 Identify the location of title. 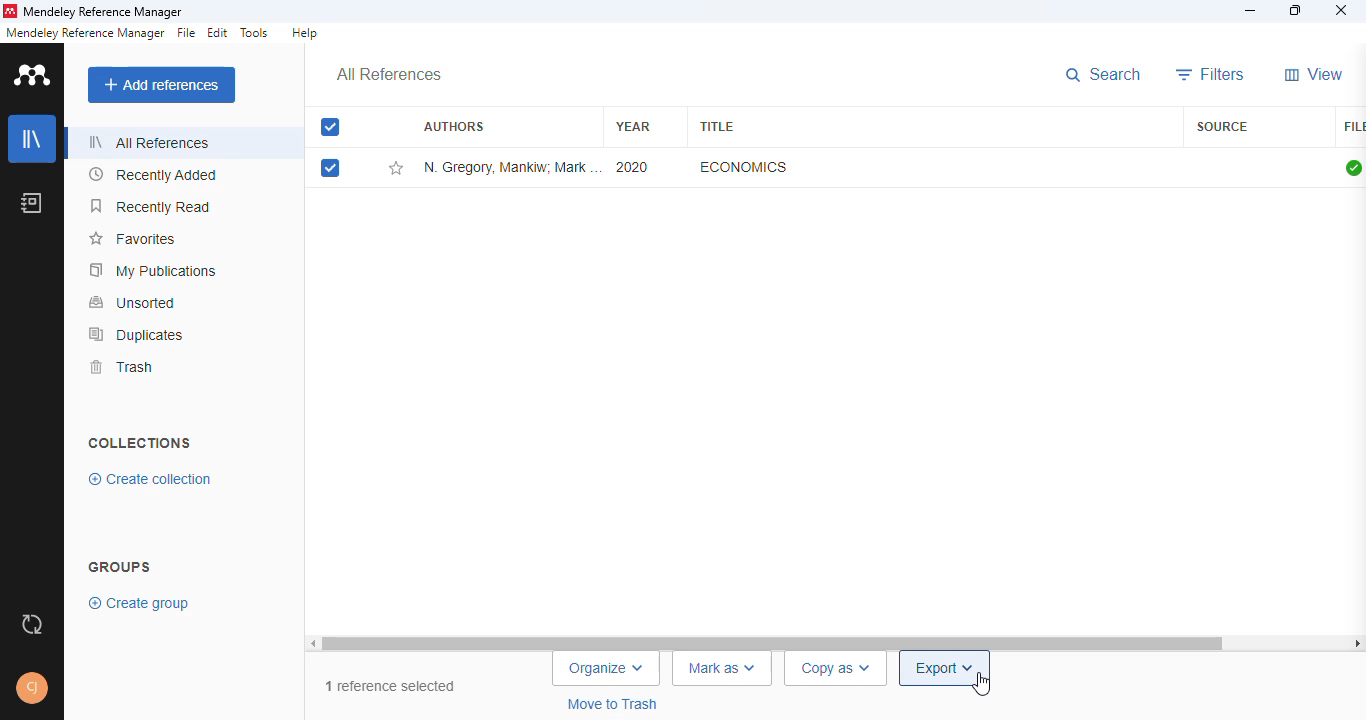
(715, 126).